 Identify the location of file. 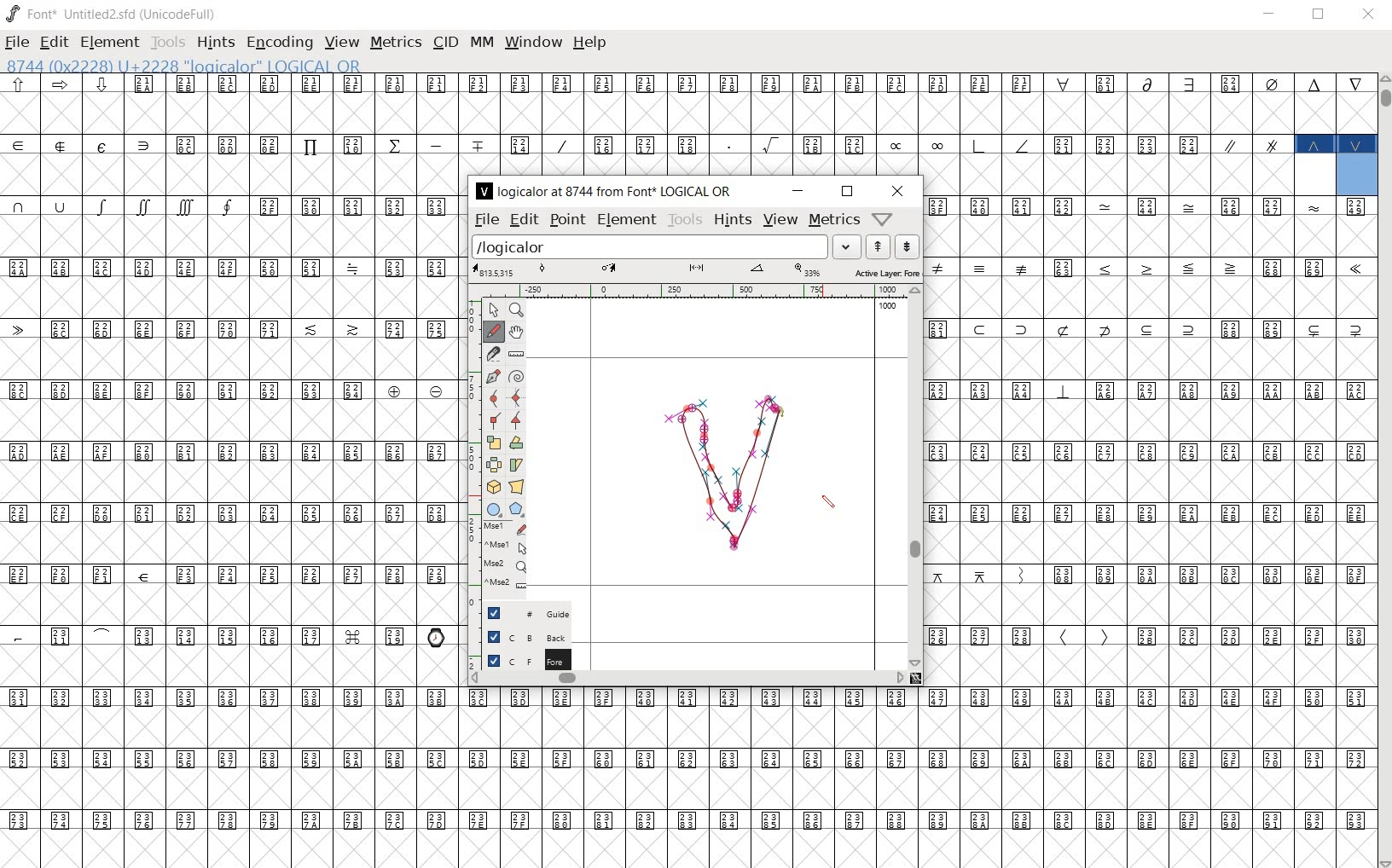
(485, 219).